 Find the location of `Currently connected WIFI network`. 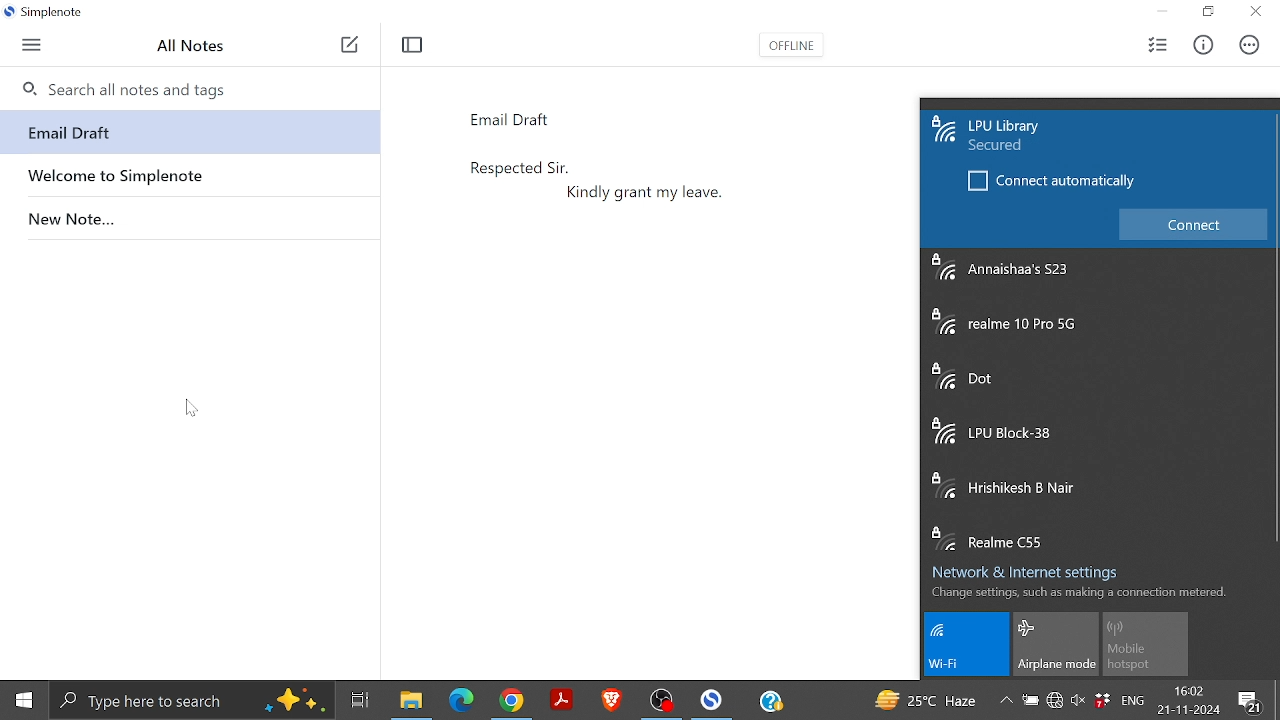

Currently connected WIFI network is located at coordinates (1042, 134).